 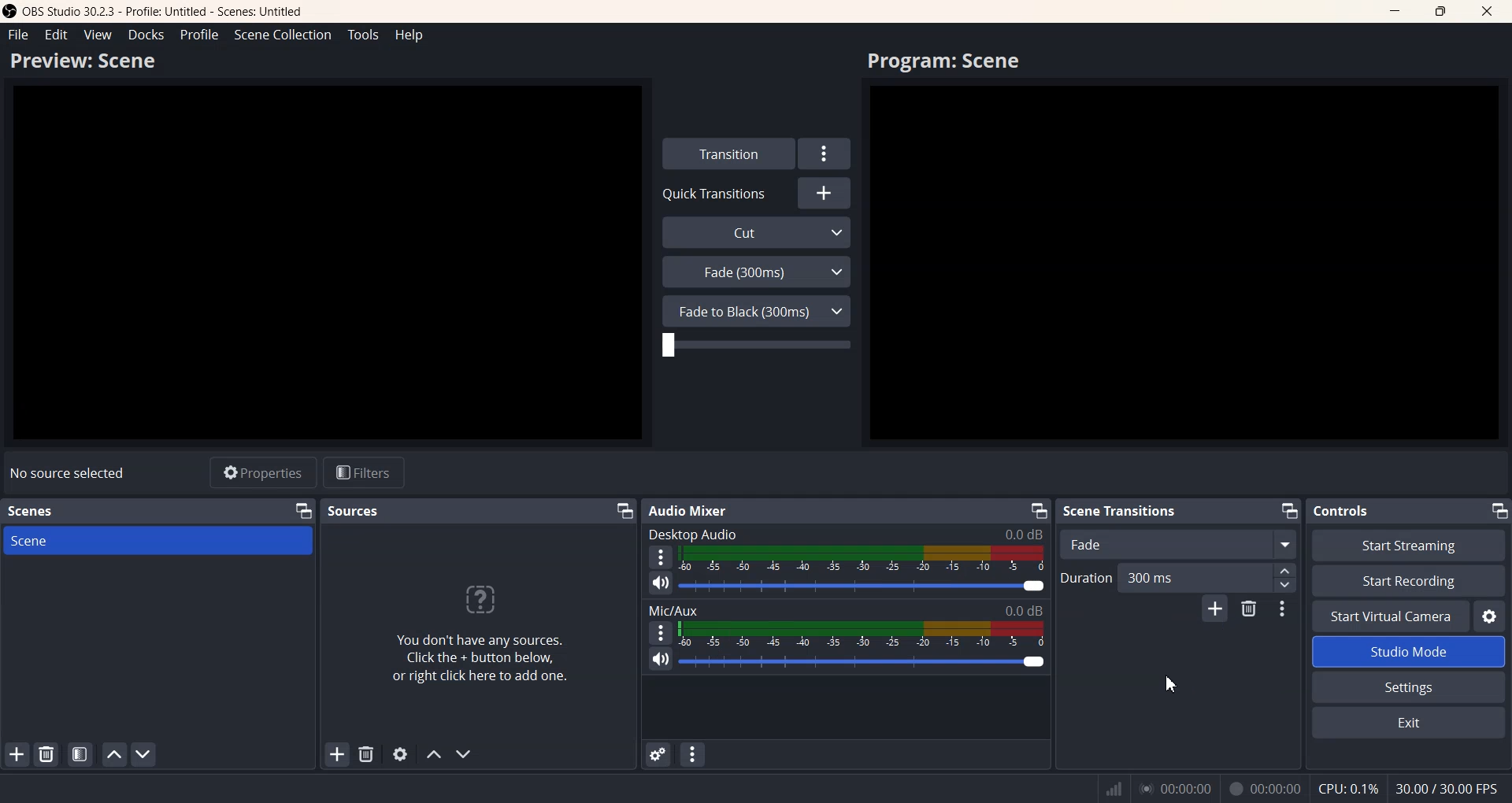 I want to click on  OBS 30.2.3 - Profile: Untitled - Scenes: Untitled, so click(x=157, y=9).